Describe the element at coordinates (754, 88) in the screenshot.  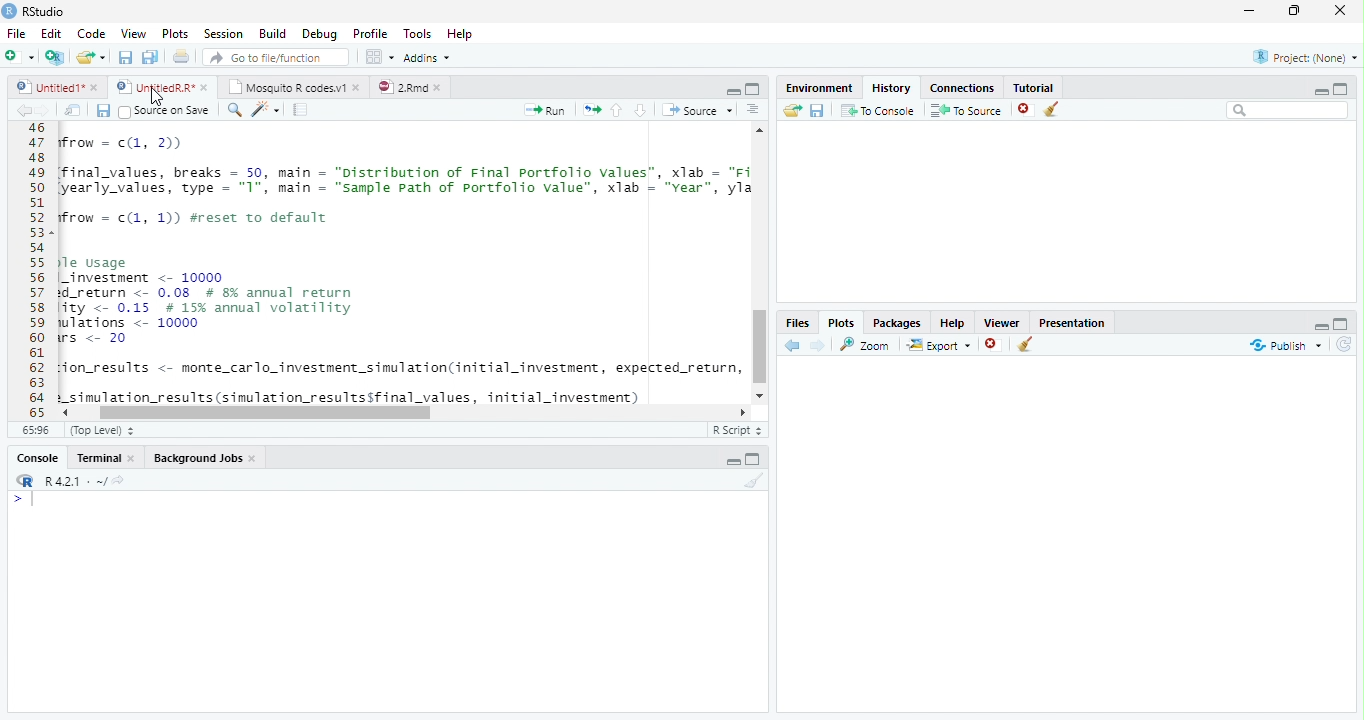
I see `Full Height` at that location.